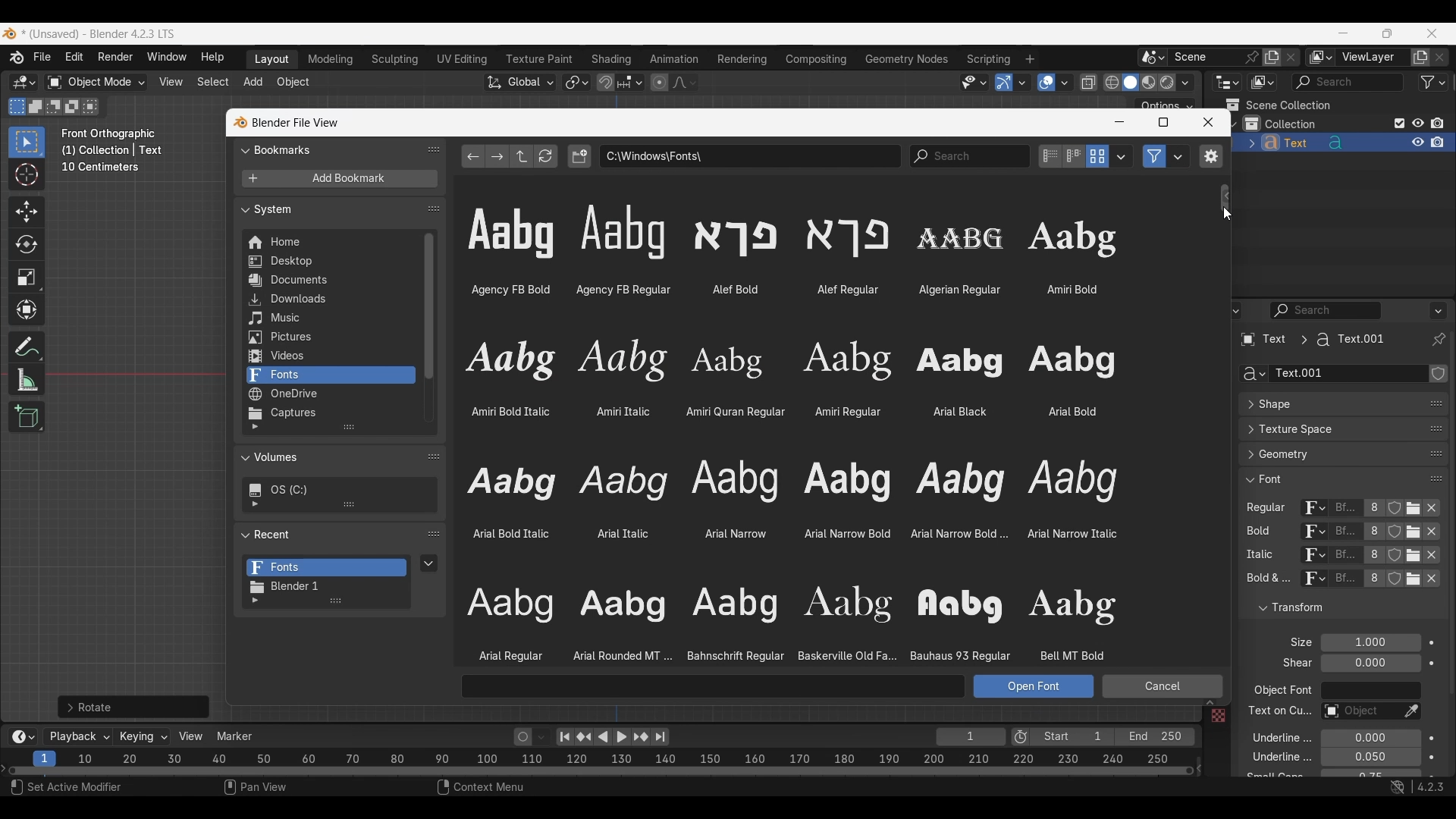 This screenshot has height=819, width=1456. What do you see at coordinates (142, 736) in the screenshot?
I see `Keying` at bounding box center [142, 736].